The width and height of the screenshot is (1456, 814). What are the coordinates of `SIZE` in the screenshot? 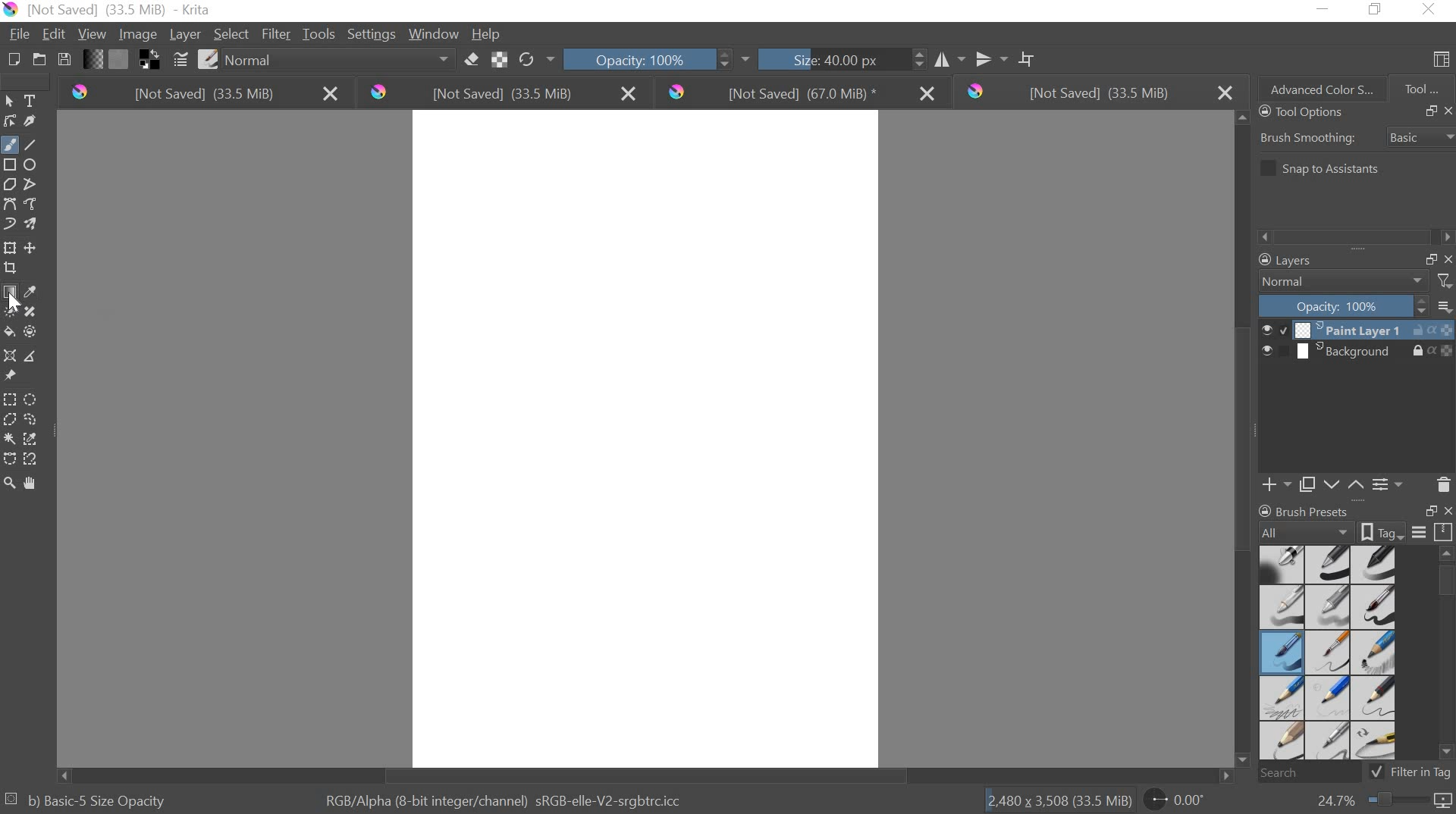 It's located at (819, 61).